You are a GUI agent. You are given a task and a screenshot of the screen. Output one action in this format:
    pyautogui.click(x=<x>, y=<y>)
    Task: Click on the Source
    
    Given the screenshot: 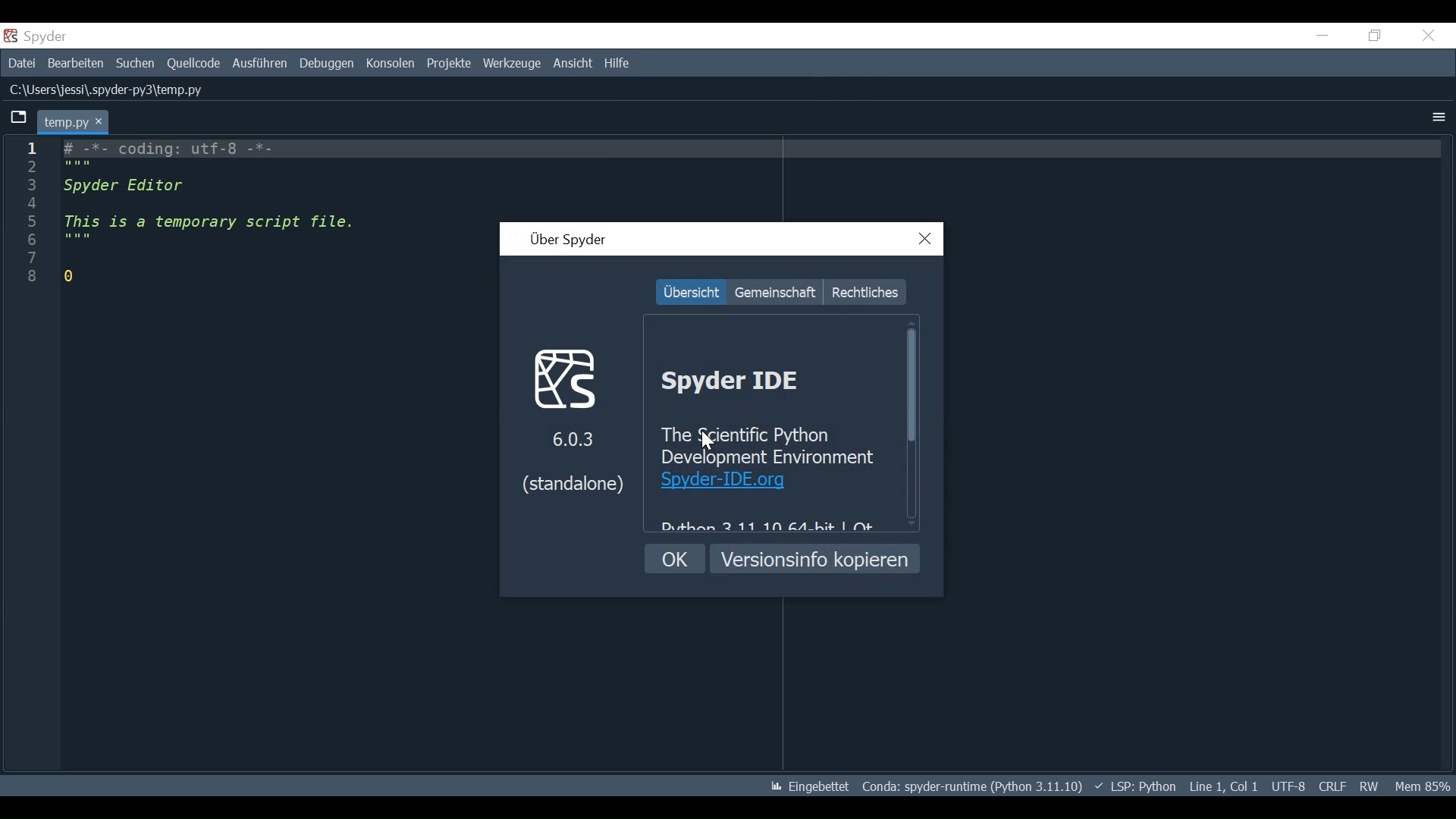 What is the action you would take?
    pyautogui.click(x=194, y=64)
    